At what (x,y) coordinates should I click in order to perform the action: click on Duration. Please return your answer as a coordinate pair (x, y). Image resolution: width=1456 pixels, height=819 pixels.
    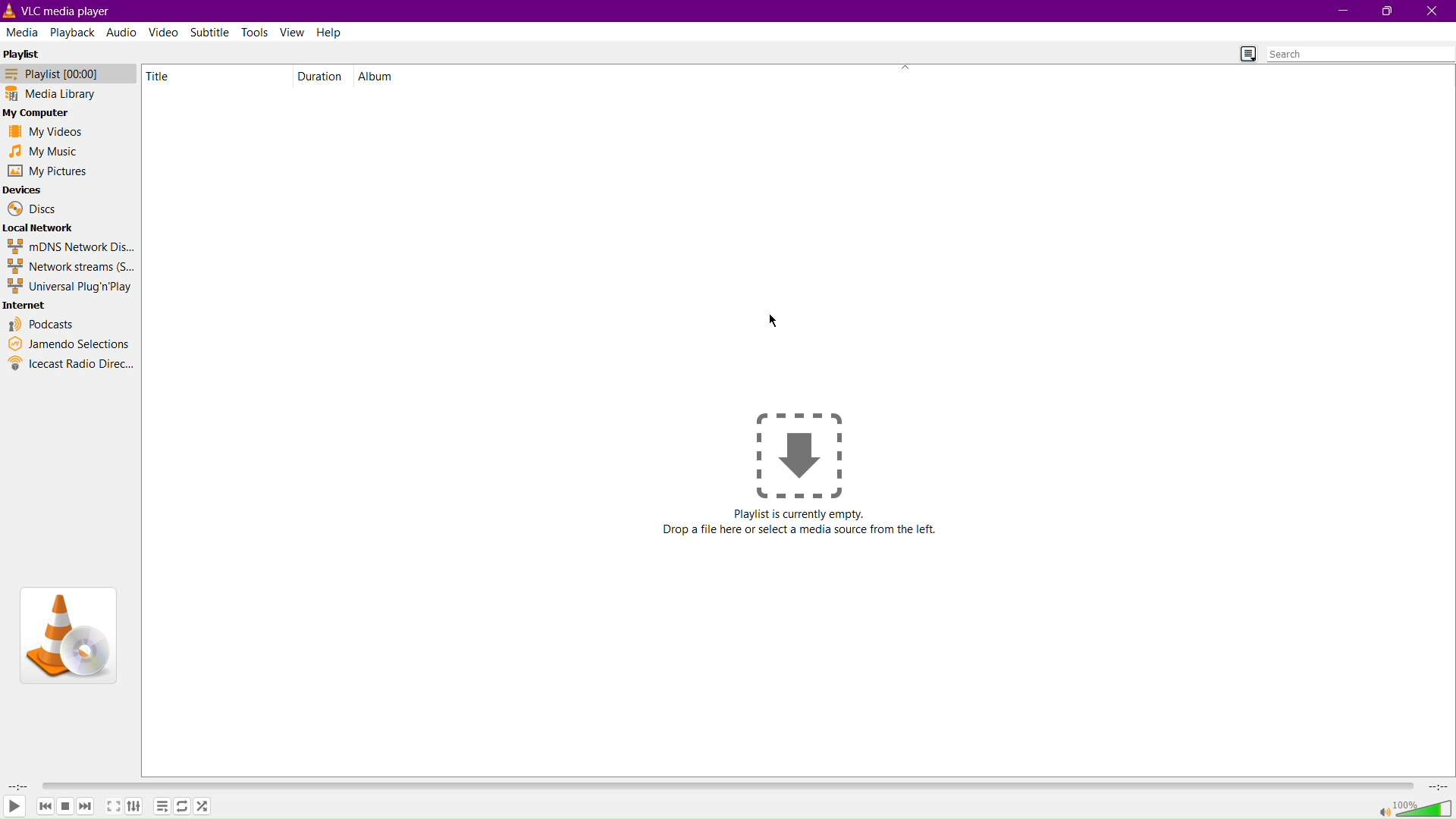
    Looking at the image, I should click on (321, 76).